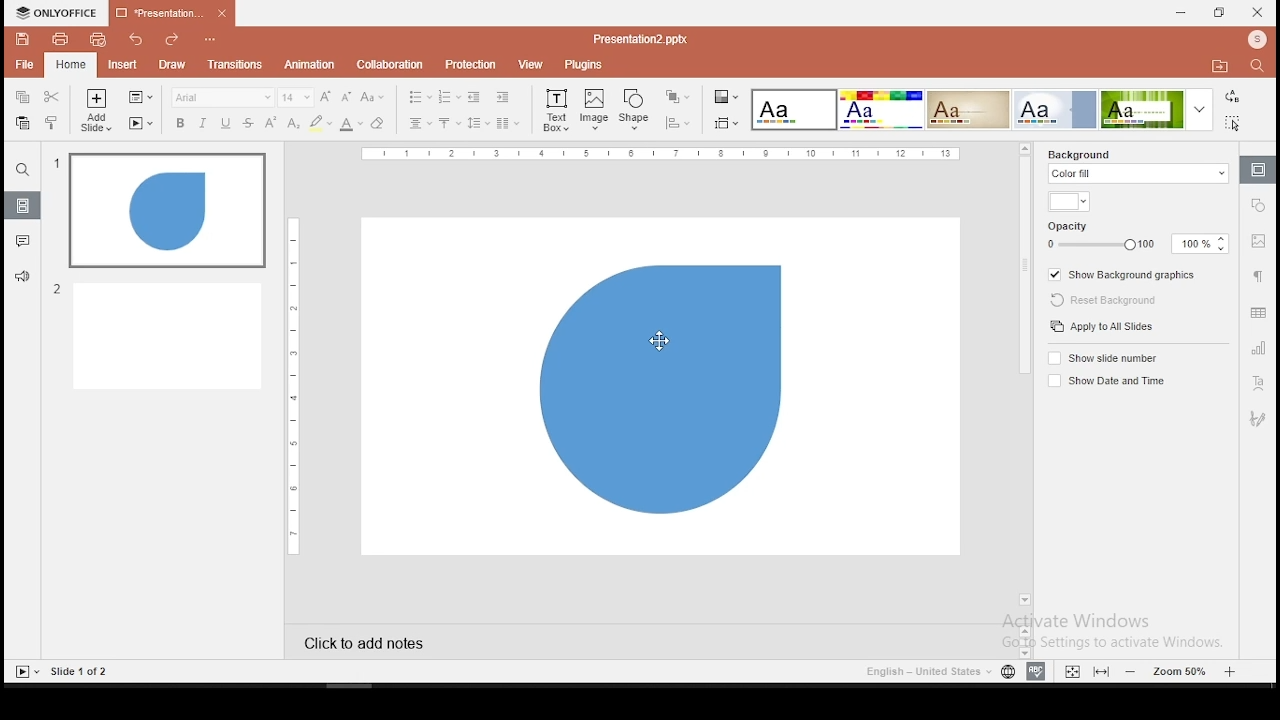 Image resolution: width=1280 pixels, height=720 pixels. I want to click on select all, so click(1230, 125).